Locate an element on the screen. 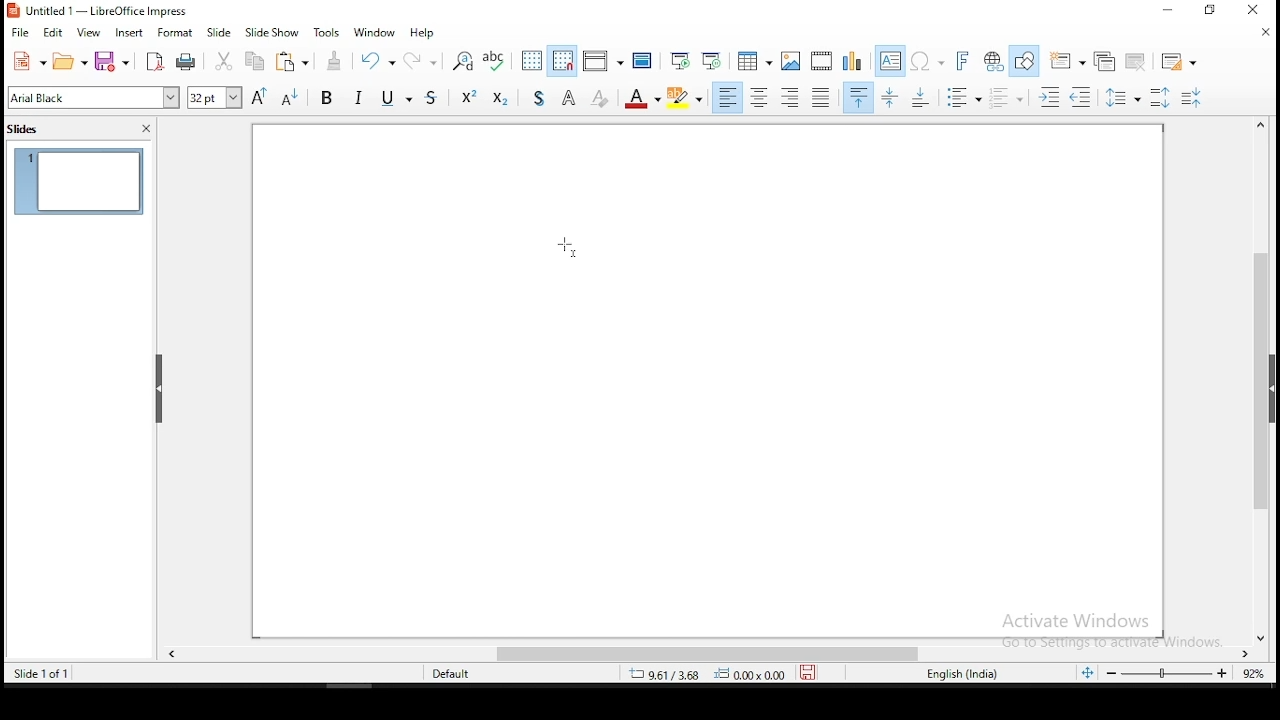 The height and width of the screenshot is (720, 1280). show draw functions is located at coordinates (1024, 62).